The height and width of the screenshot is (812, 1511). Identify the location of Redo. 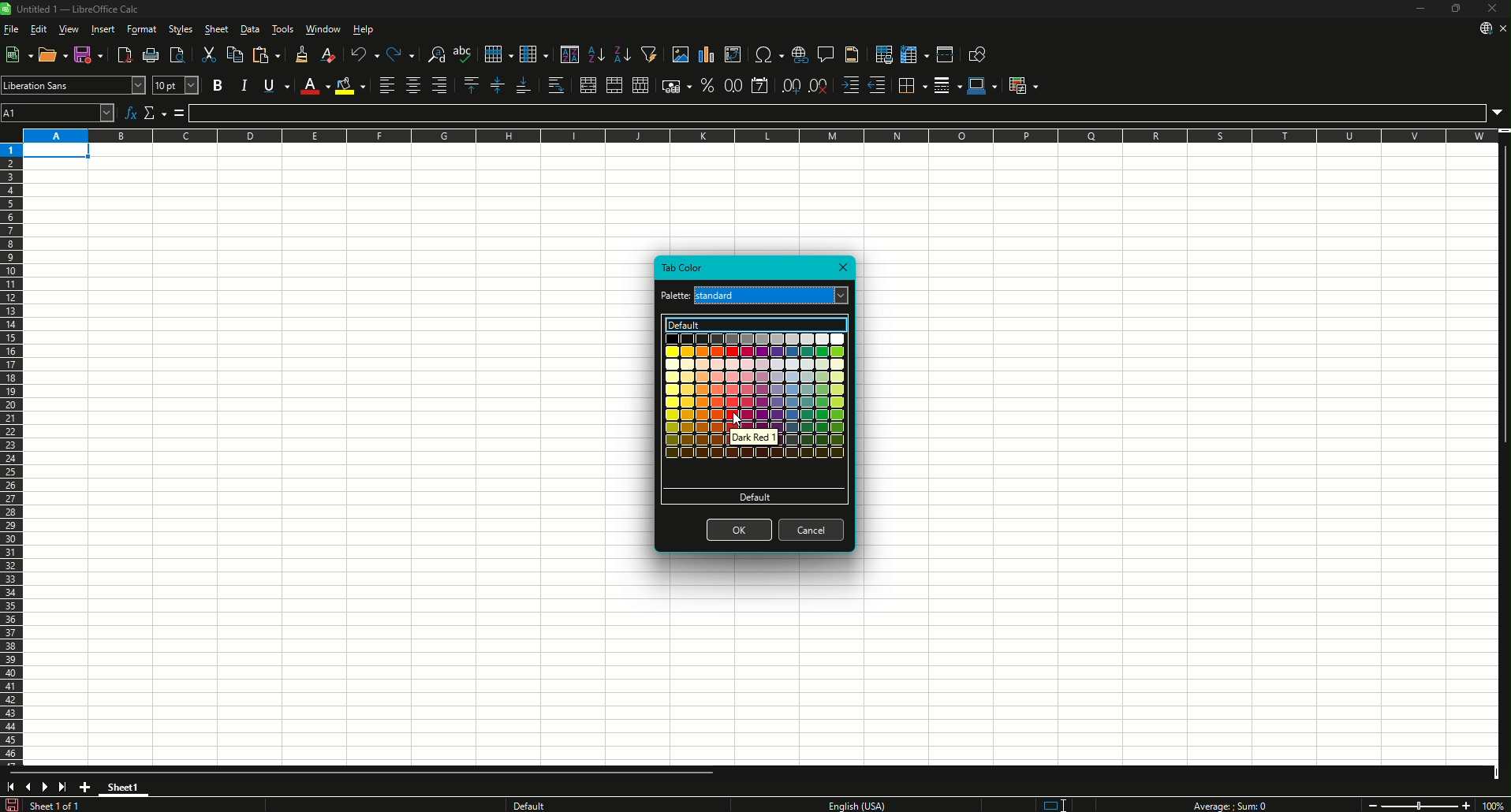
(401, 54).